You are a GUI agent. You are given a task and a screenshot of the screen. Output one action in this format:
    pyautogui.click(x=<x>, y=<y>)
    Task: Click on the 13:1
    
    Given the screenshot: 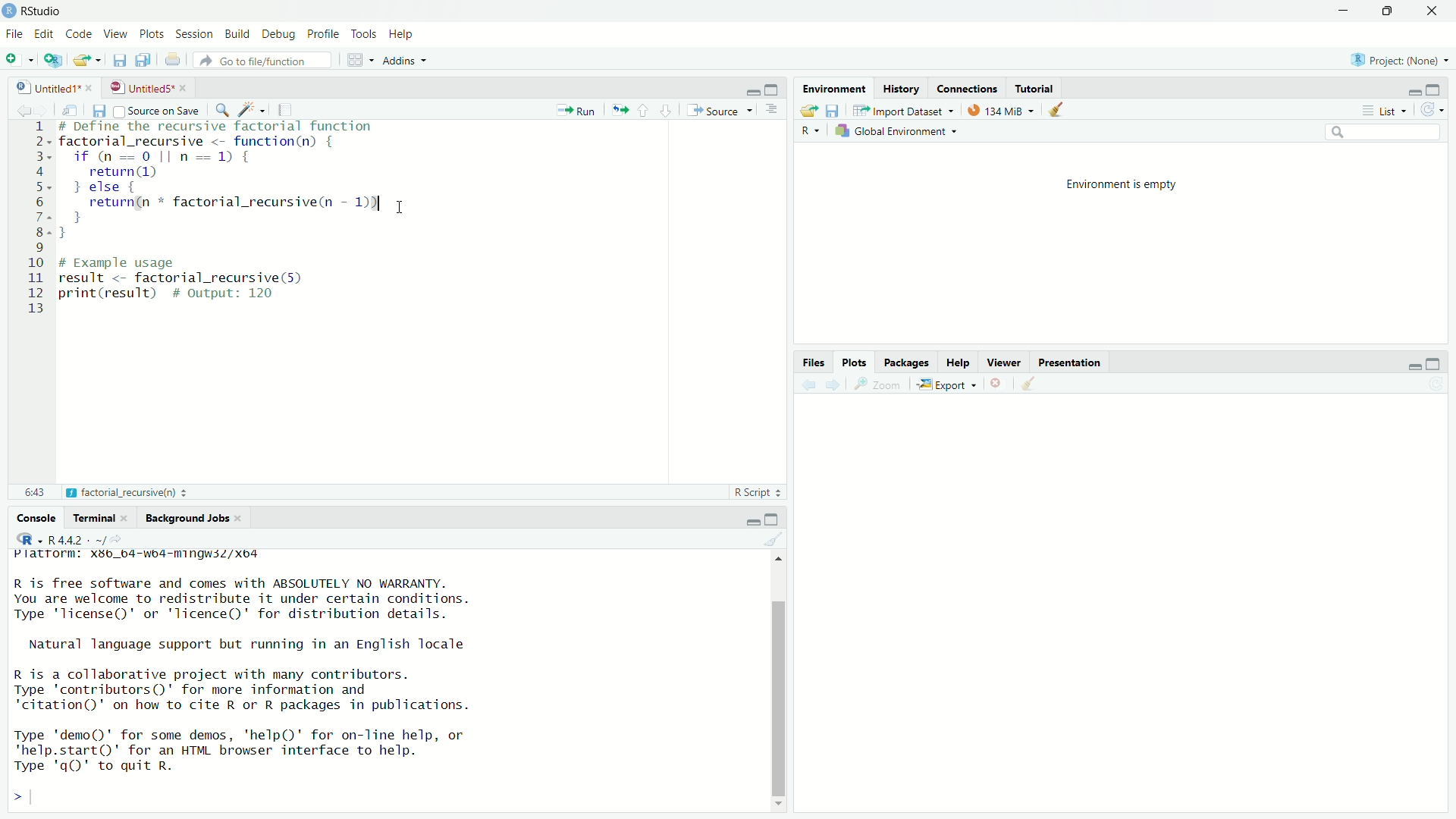 What is the action you would take?
    pyautogui.click(x=36, y=490)
    